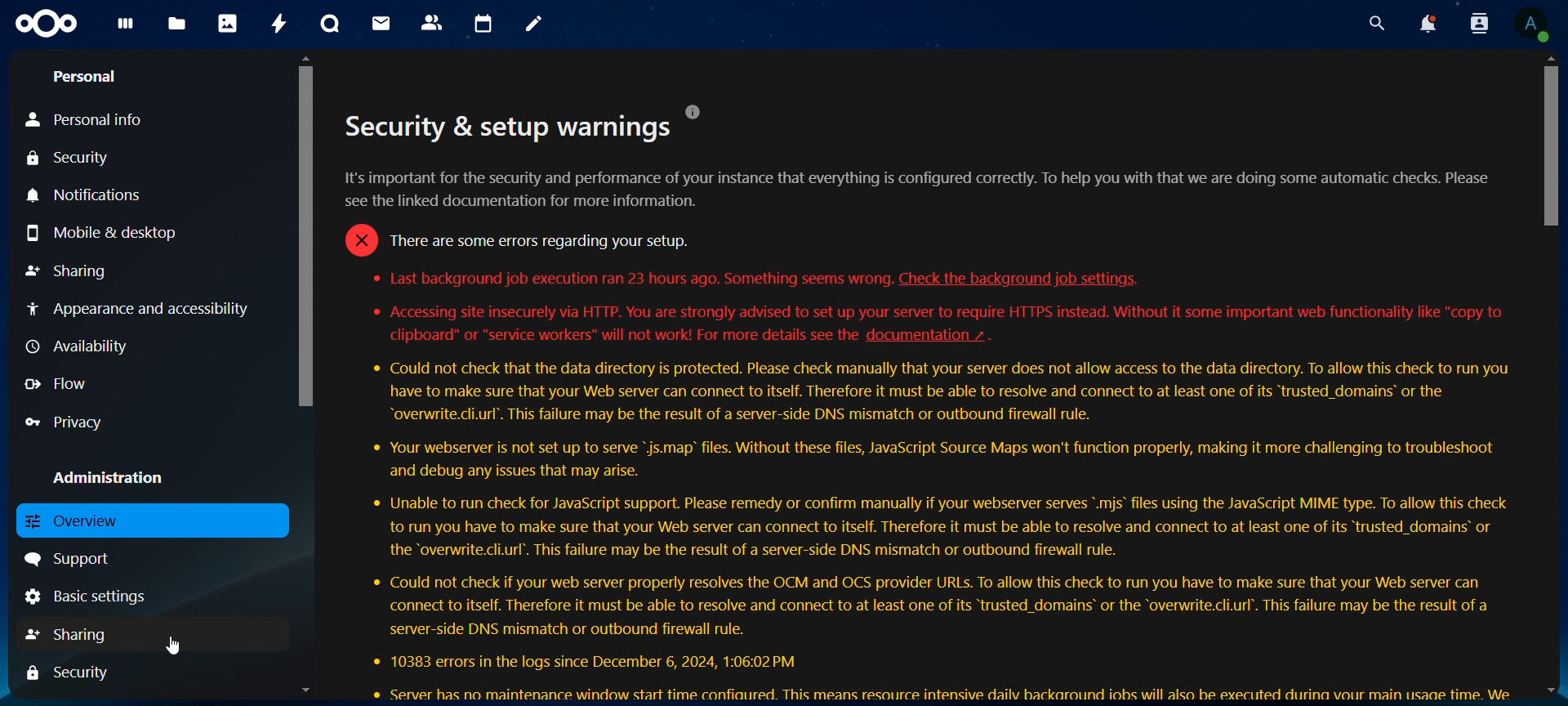  I want to click on files, so click(178, 22).